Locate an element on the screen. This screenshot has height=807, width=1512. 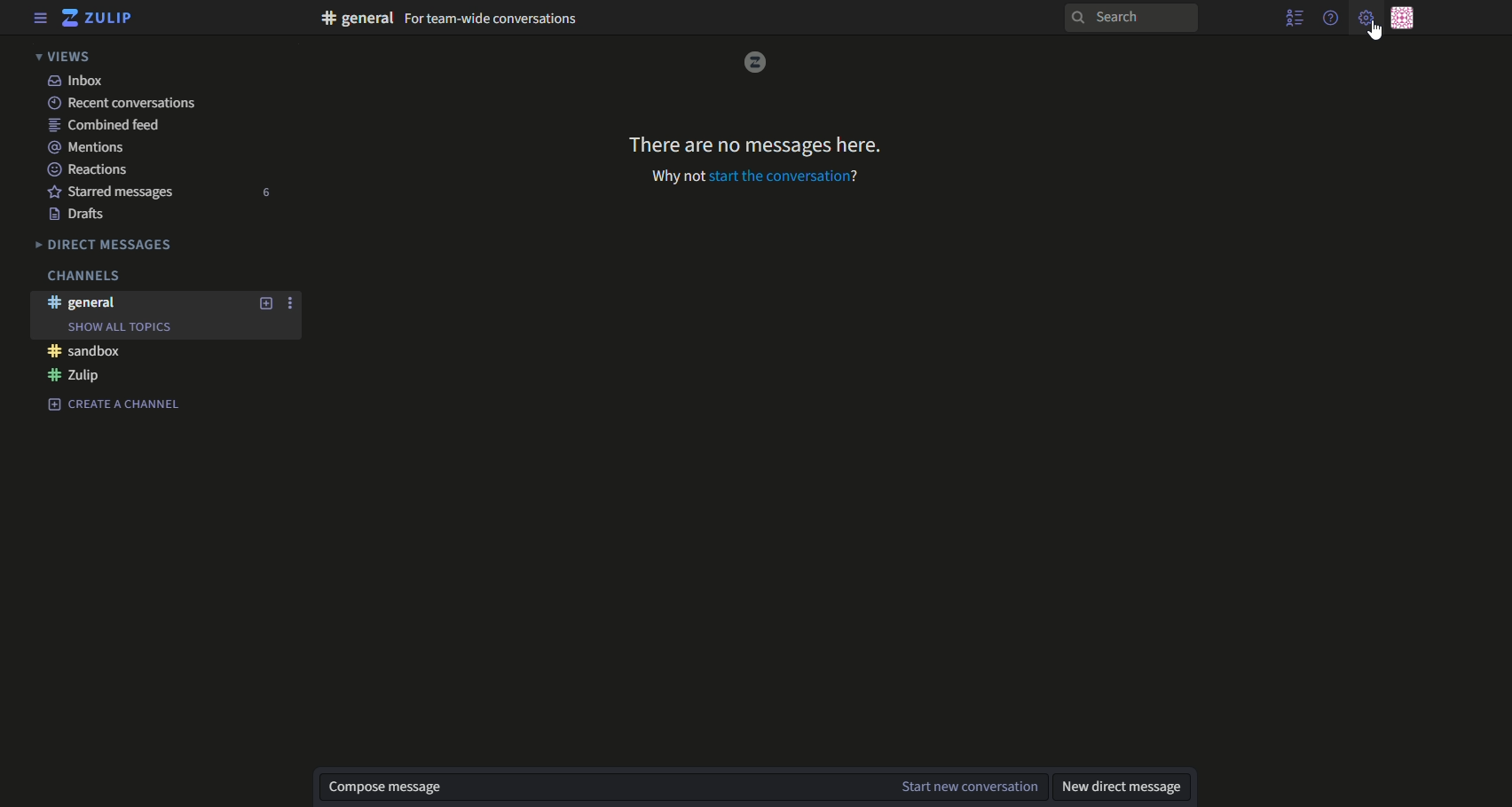
new direct message is located at coordinates (1121, 788).